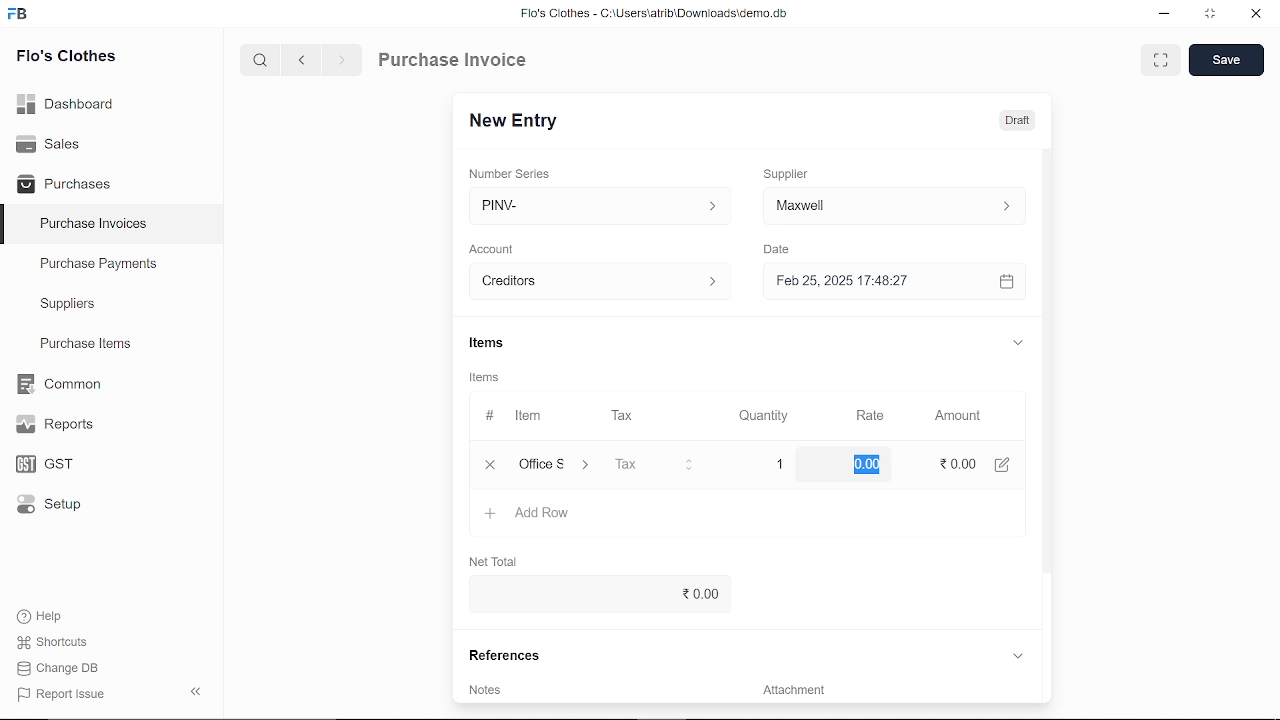  I want to click on close, so click(486, 464).